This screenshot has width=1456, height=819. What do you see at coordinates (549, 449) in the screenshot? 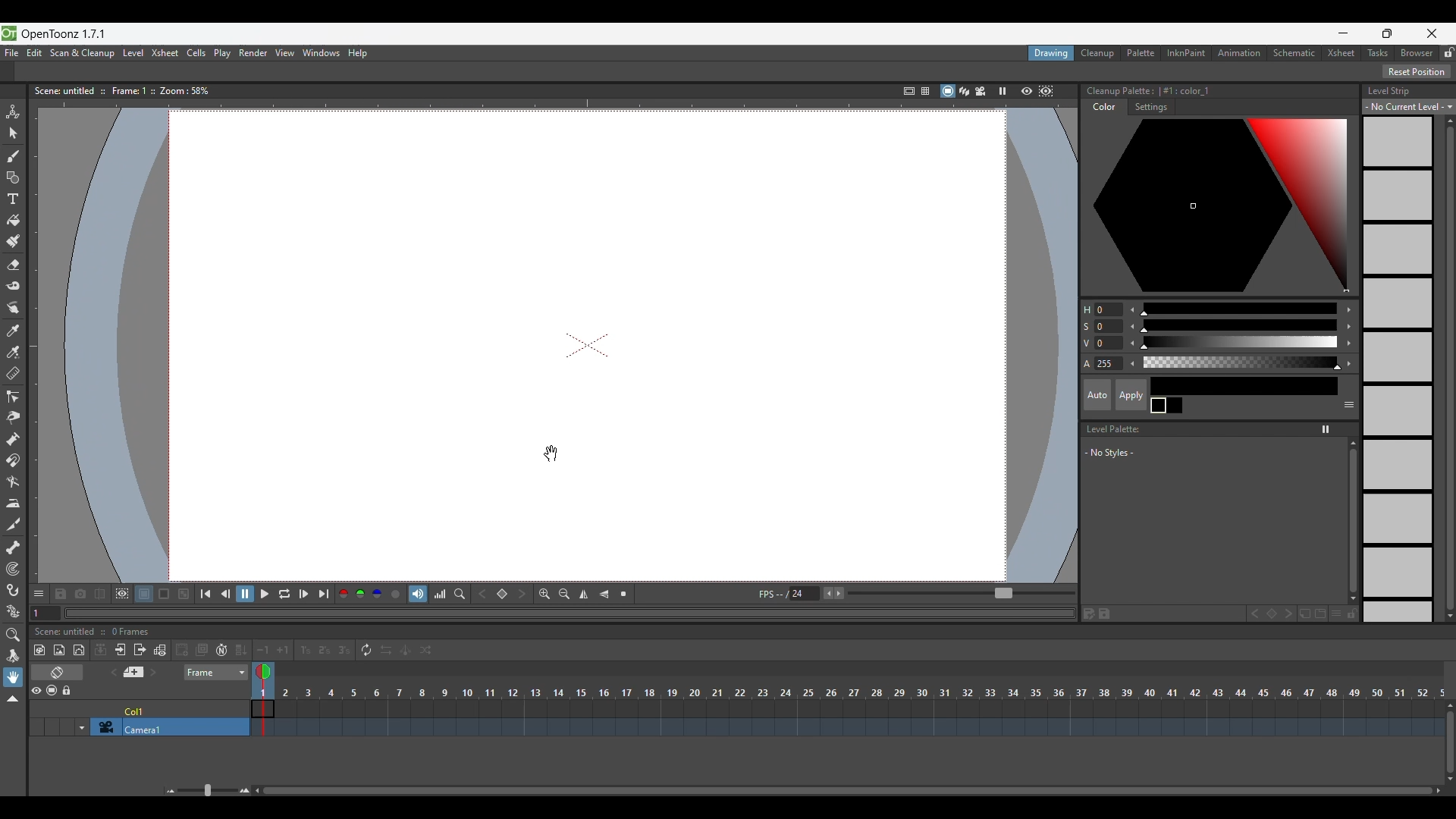
I see `cursor` at bounding box center [549, 449].